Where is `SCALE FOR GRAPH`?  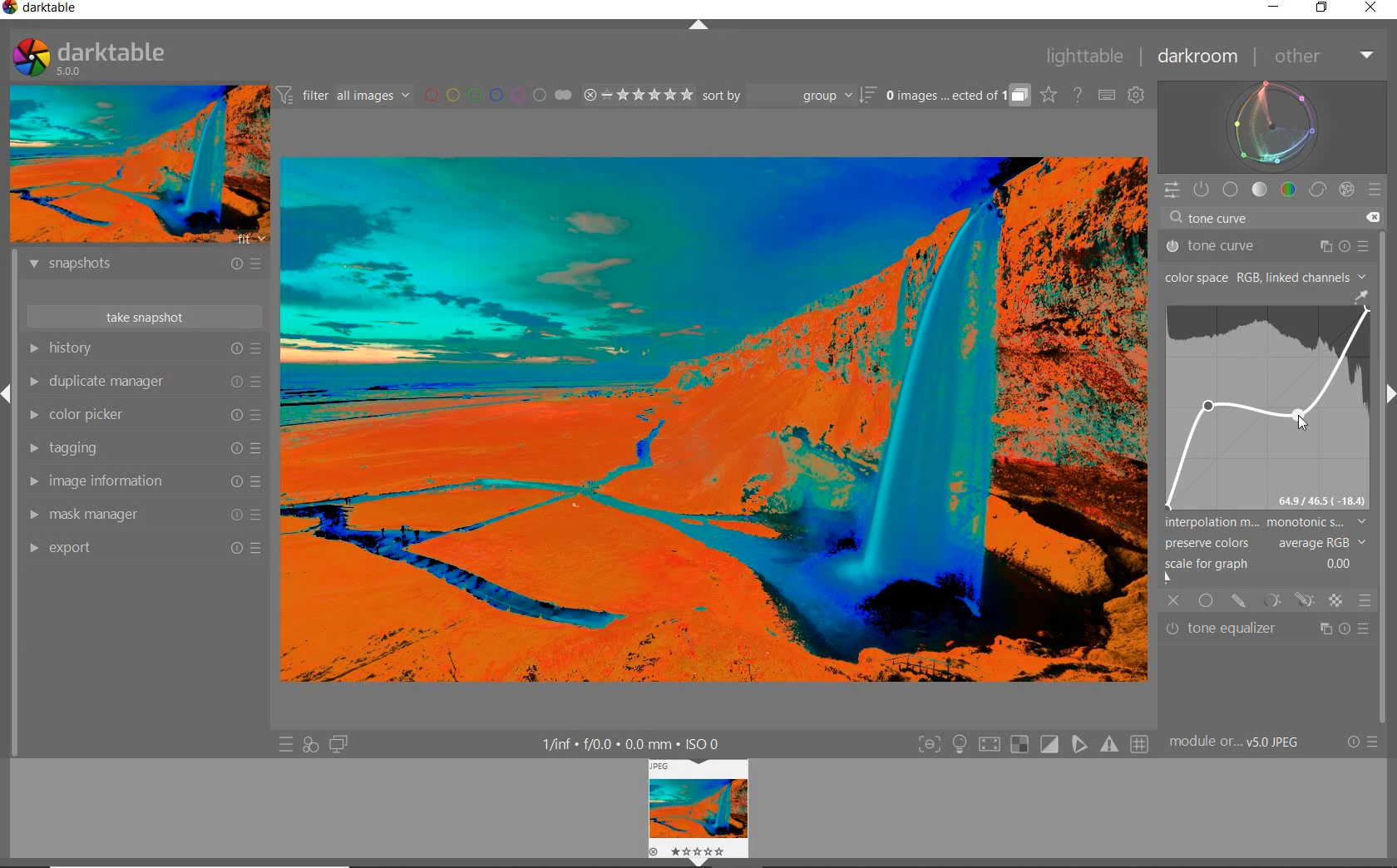 SCALE FOR GRAPH is located at coordinates (1261, 572).